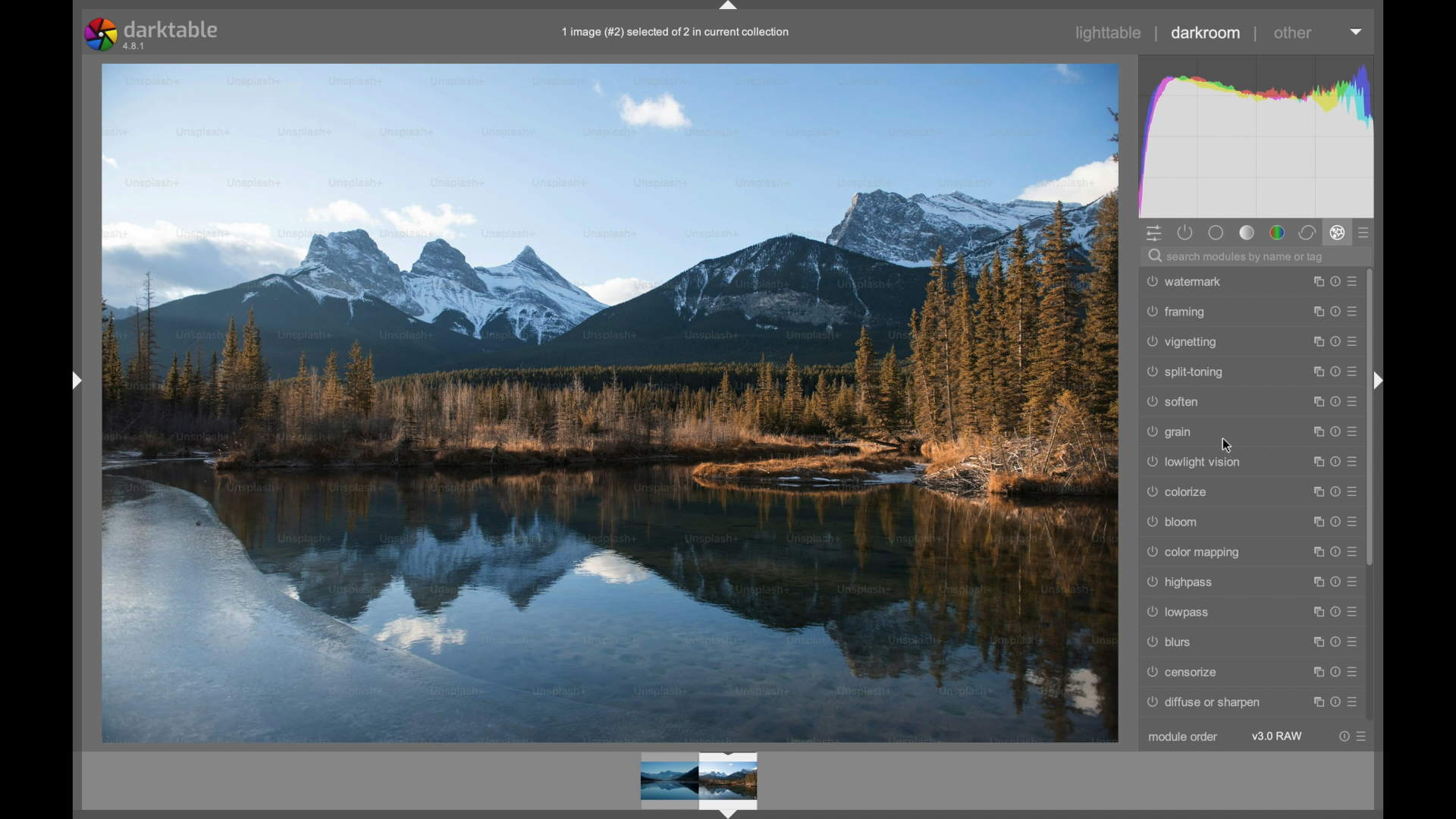 The image size is (1456, 819). Describe the element at coordinates (1245, 233) in the screenshot. I see `tone` at that location.